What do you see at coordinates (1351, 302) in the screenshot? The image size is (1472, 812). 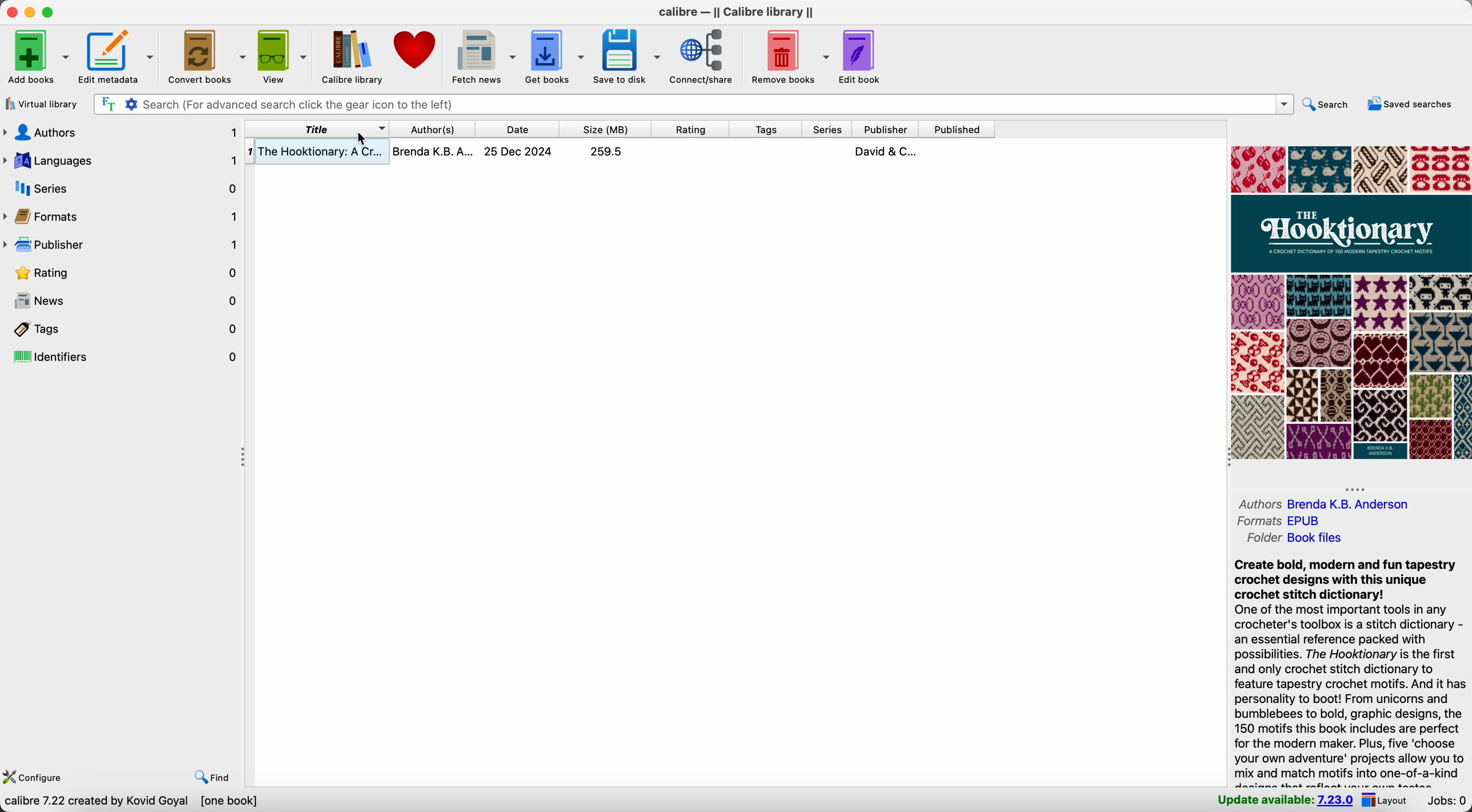 I see `book cover preview` at bounding box center [1351, 302].